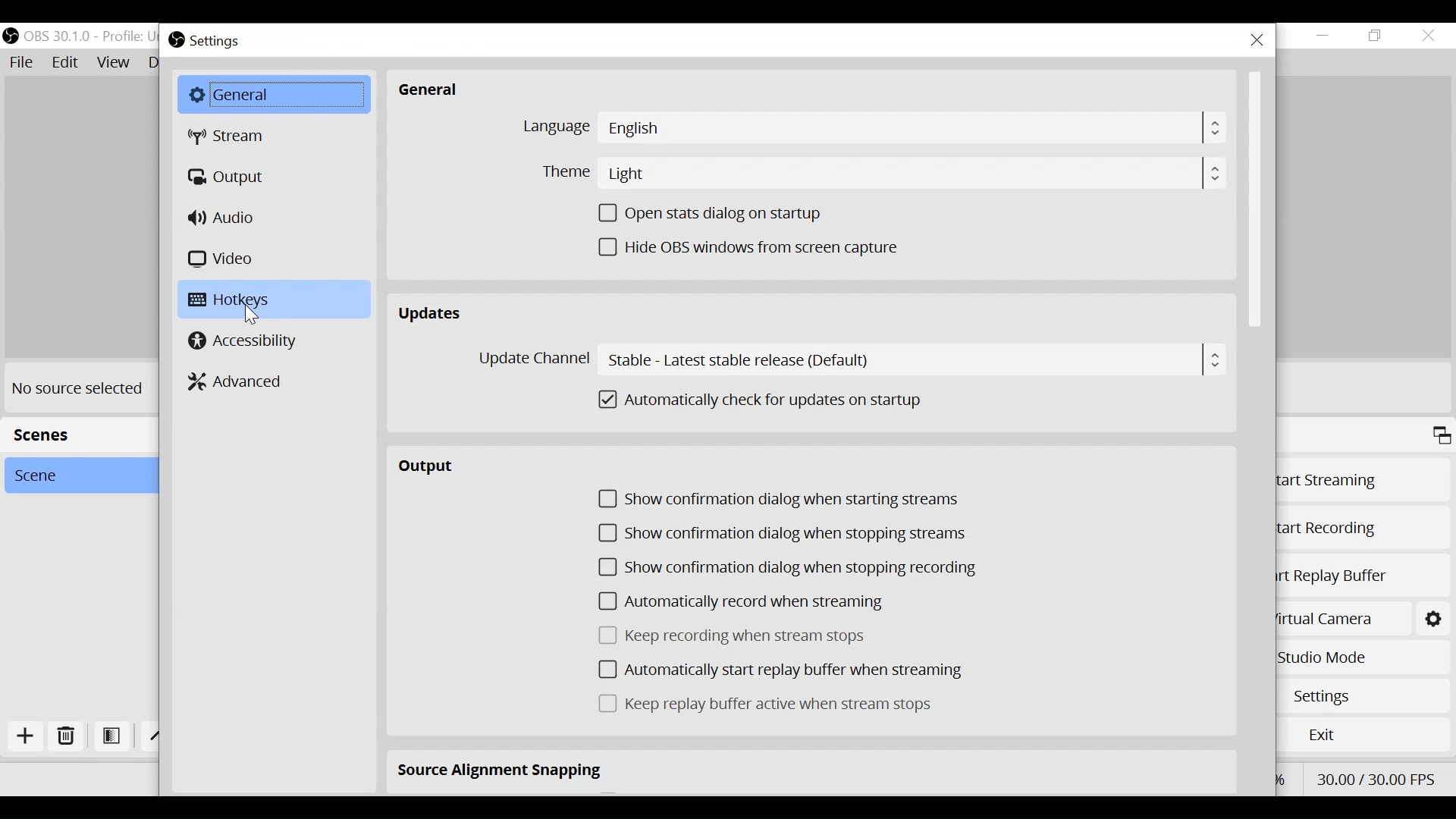  Describe the element at coordinates (430, 90) in the screenshot. I see `General` at that location.